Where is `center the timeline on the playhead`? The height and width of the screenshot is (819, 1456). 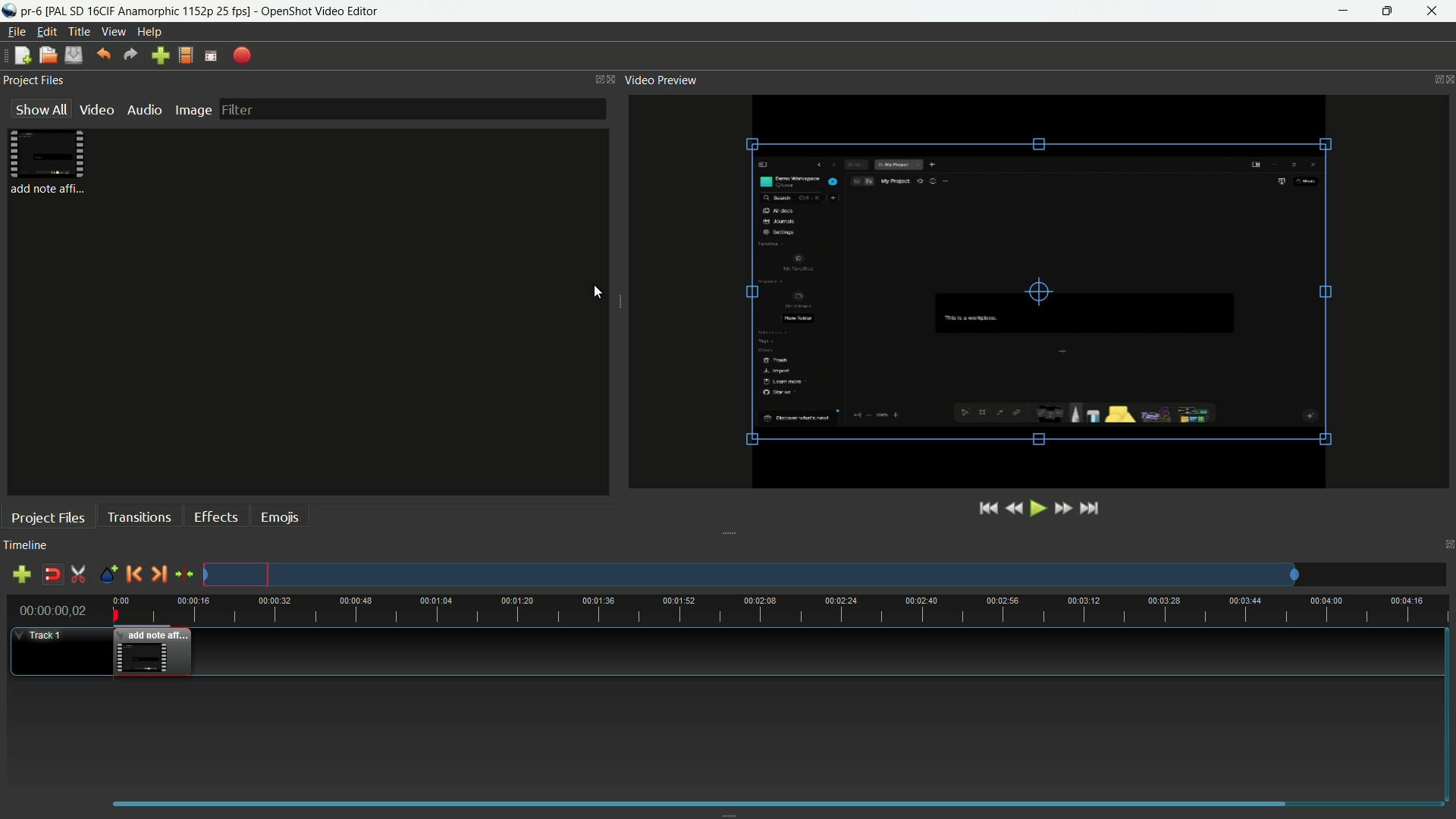
center the timeline on the playhead is located at coordinates (185, 575).